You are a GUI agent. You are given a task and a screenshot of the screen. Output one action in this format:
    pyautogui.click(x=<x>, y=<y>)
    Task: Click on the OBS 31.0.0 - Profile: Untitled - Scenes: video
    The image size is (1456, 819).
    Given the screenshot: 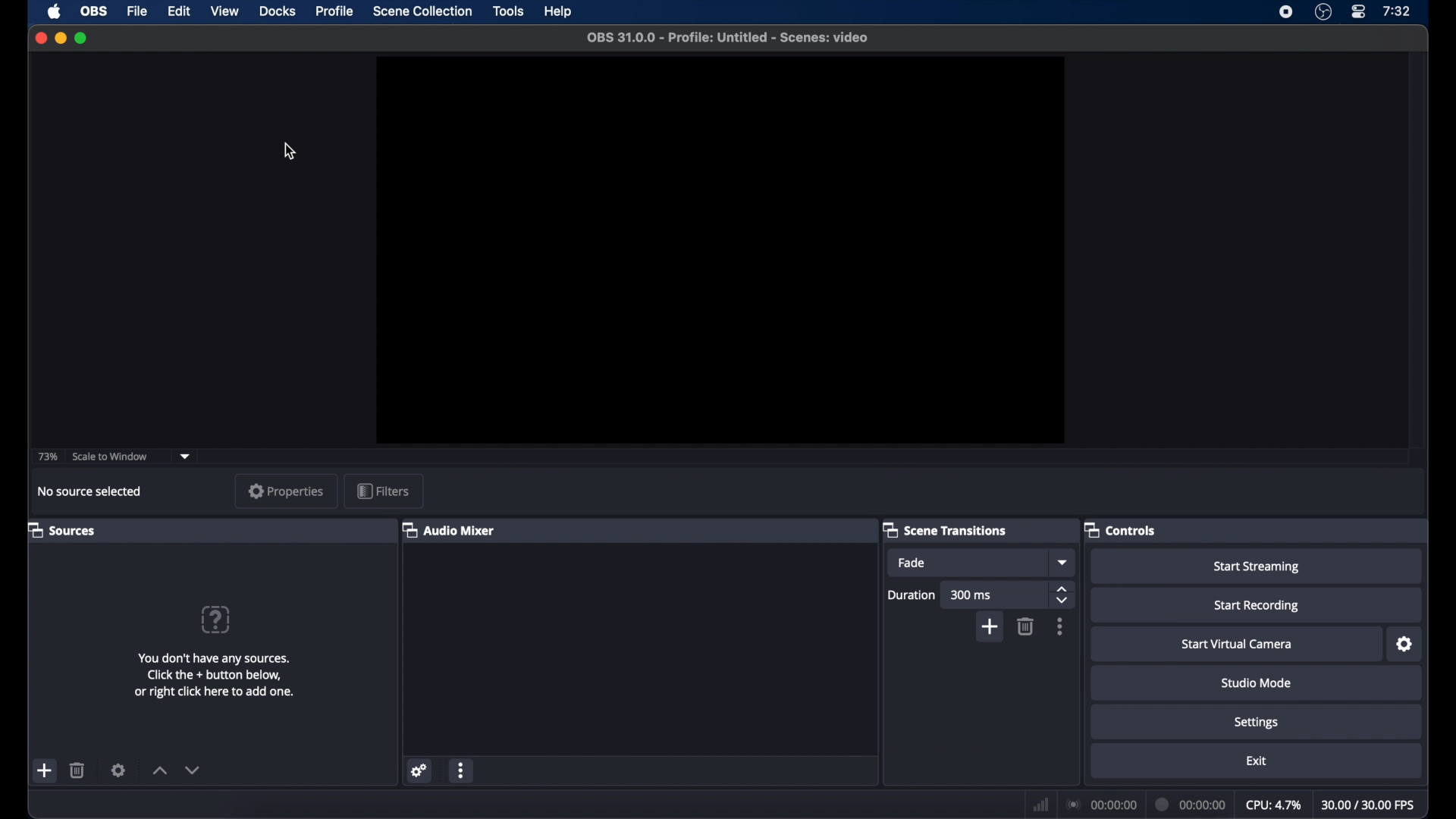 What is the action you would take?
    pyautogui.click(x=726, y=37)
    